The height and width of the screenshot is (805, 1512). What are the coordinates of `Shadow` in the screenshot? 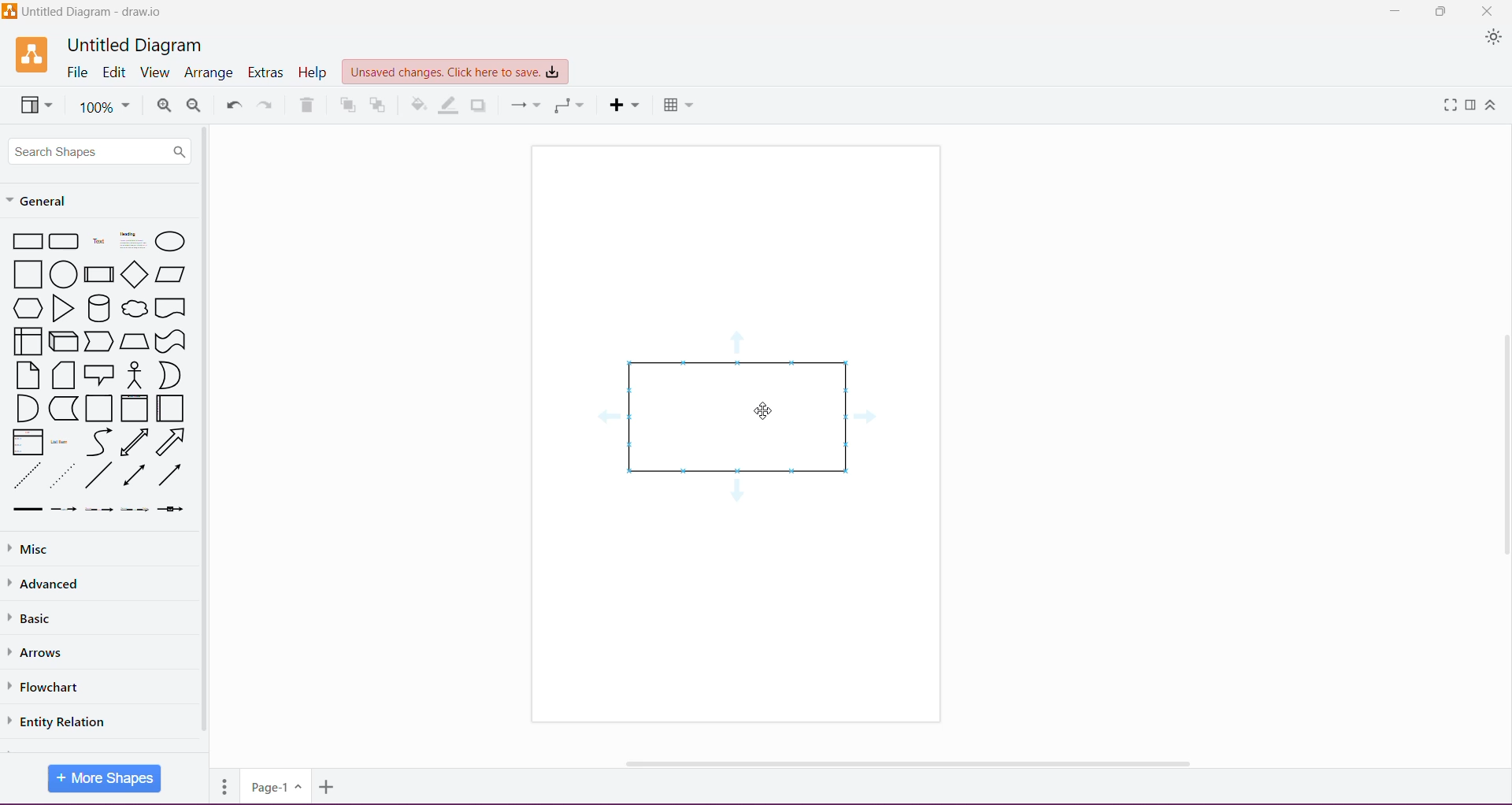 It's located at (479, 106).